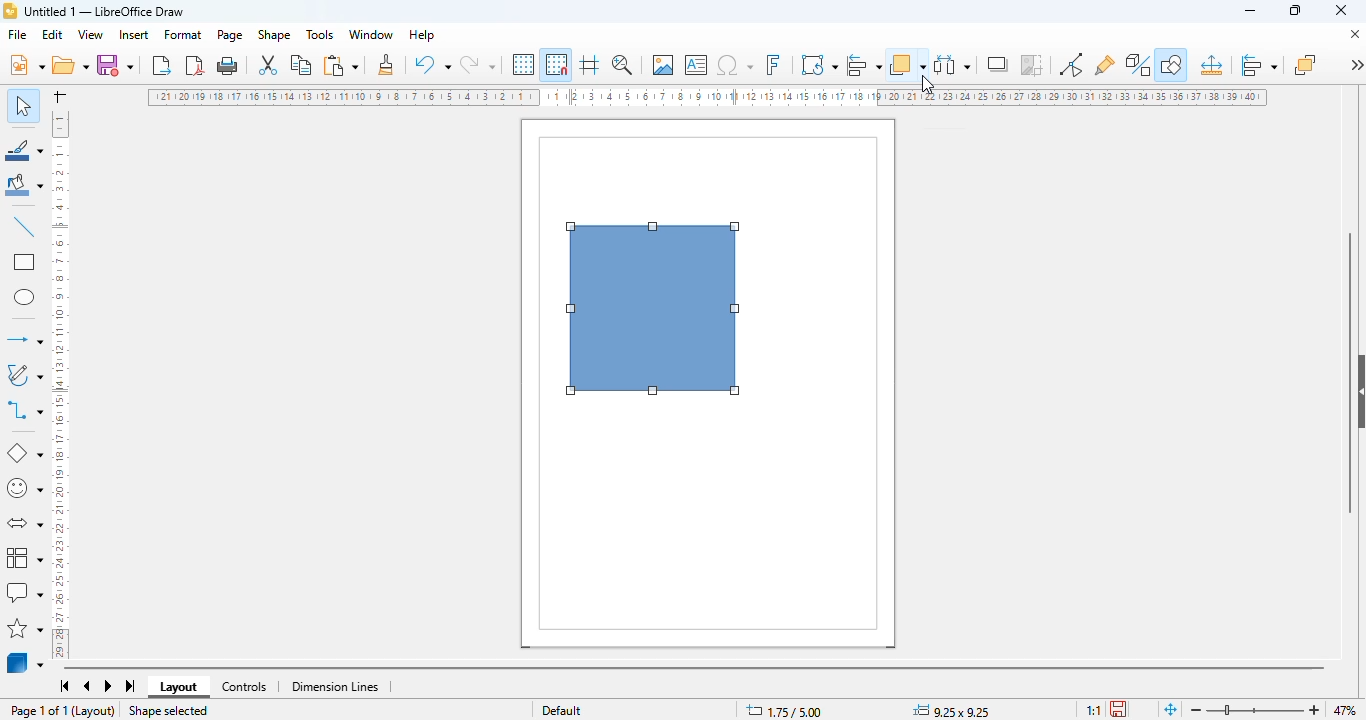  What do you see at coordinates (1196, 711) in the screenshot?
I see `zoom out` at bounding box center [1196, 711].